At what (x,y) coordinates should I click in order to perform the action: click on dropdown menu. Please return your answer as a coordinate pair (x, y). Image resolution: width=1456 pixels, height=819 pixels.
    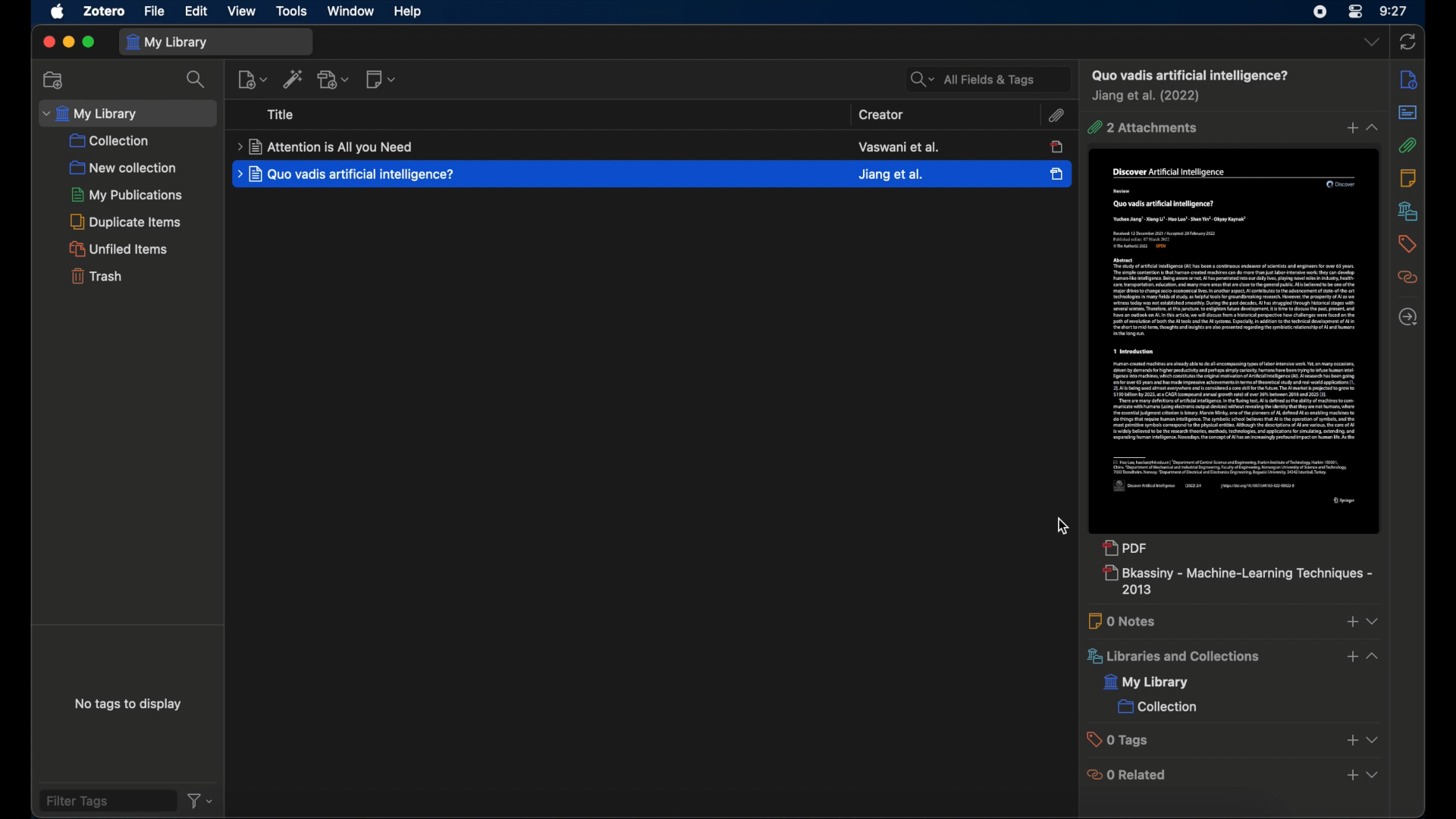
    Looking at the image, I should click on (1373, 127).